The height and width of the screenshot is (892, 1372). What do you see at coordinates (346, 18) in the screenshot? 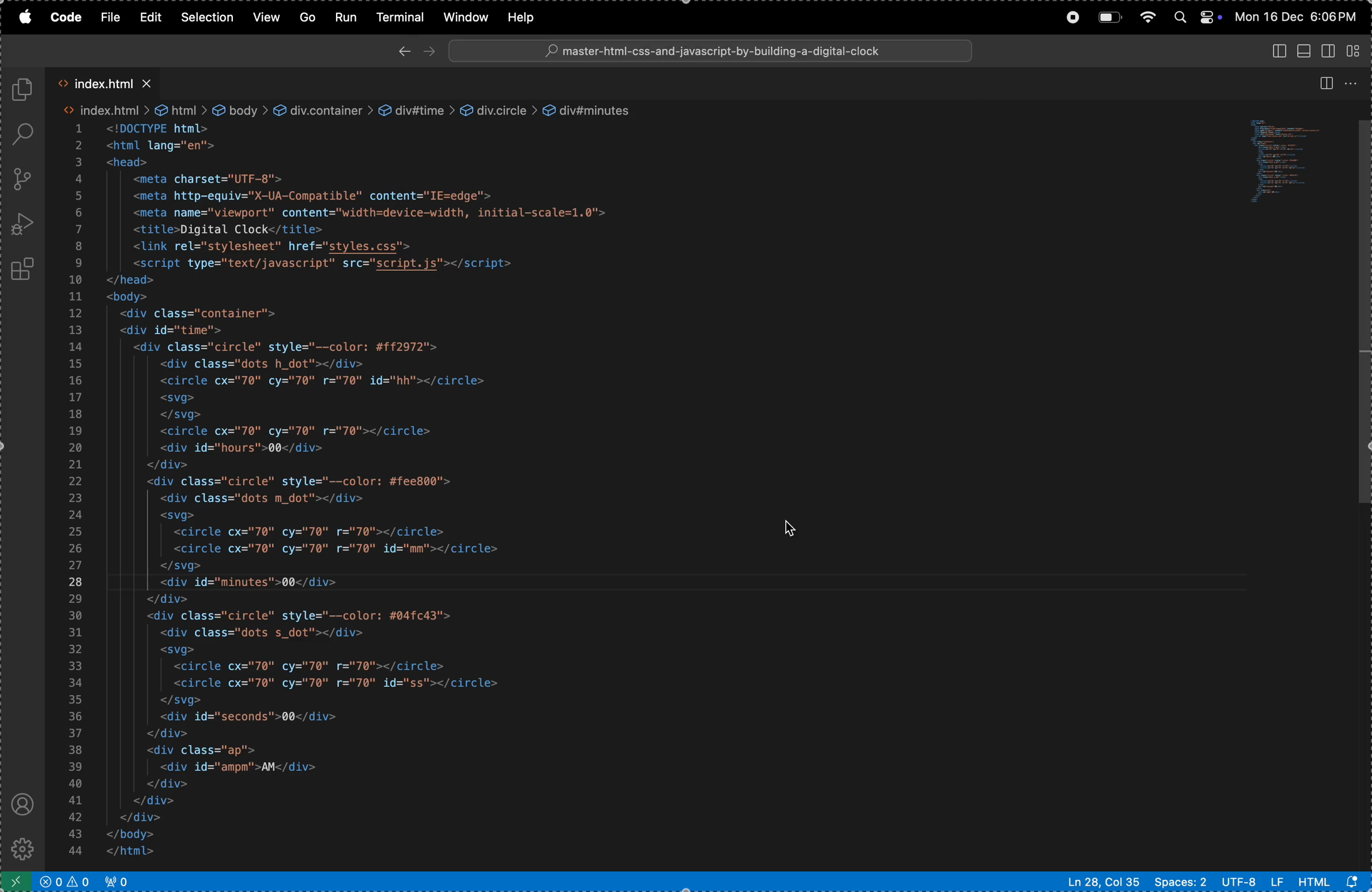
I see `run` at bounding box center [346, 18].